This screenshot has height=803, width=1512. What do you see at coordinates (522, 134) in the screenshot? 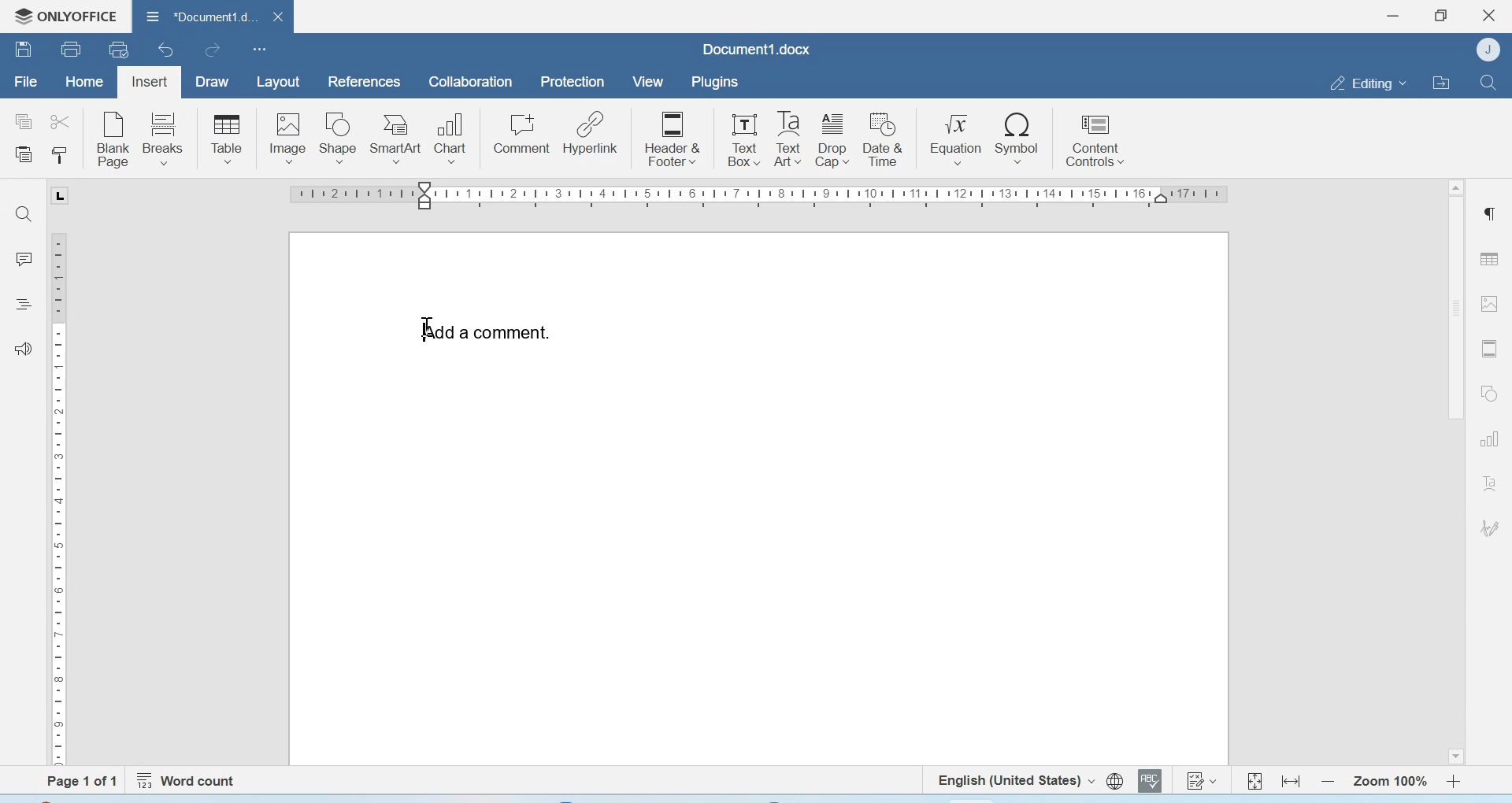
I see `Comment` at bounding box center [522, 134].